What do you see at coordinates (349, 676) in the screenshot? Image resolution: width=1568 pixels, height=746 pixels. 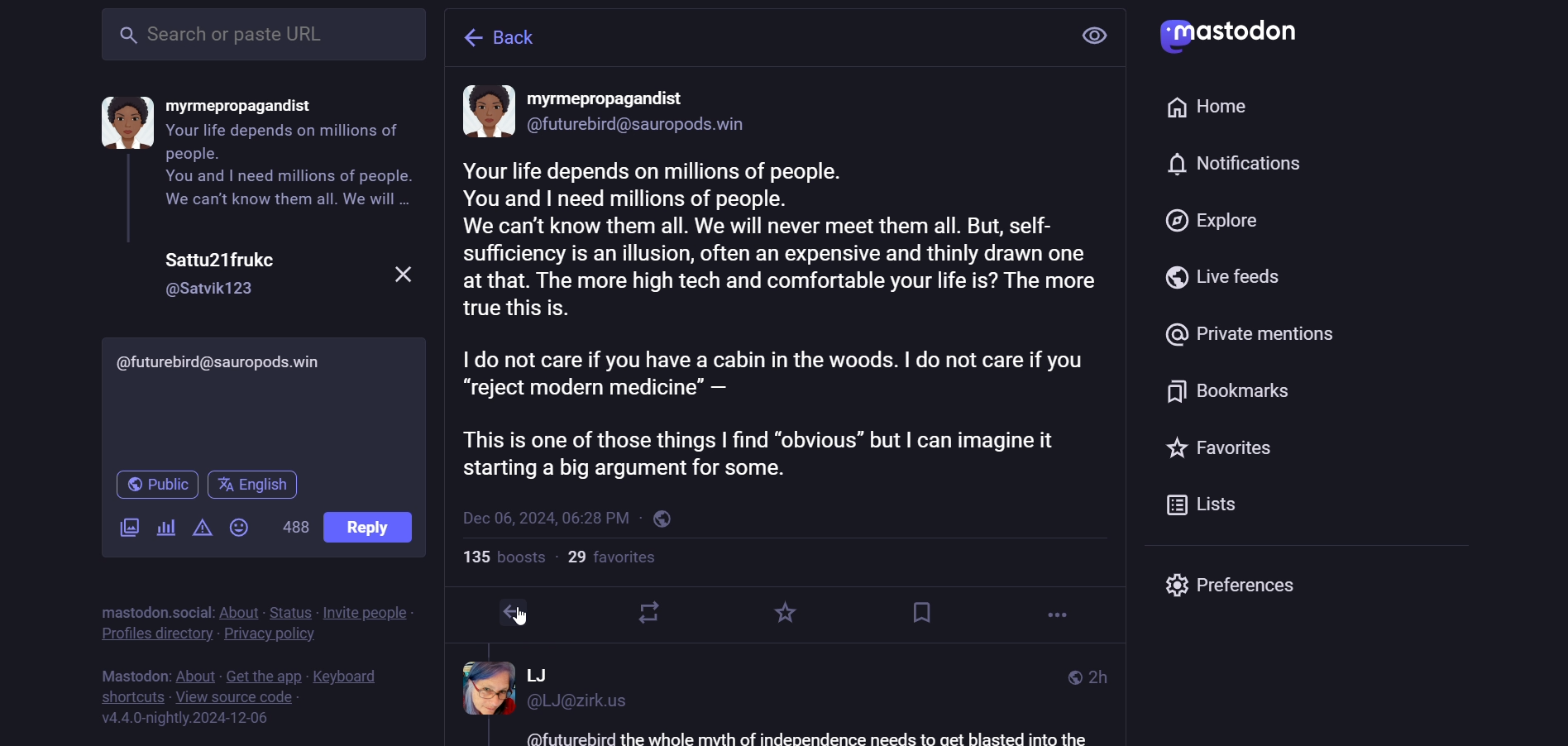 I see `keyboard` at bounding box center [349, 676].